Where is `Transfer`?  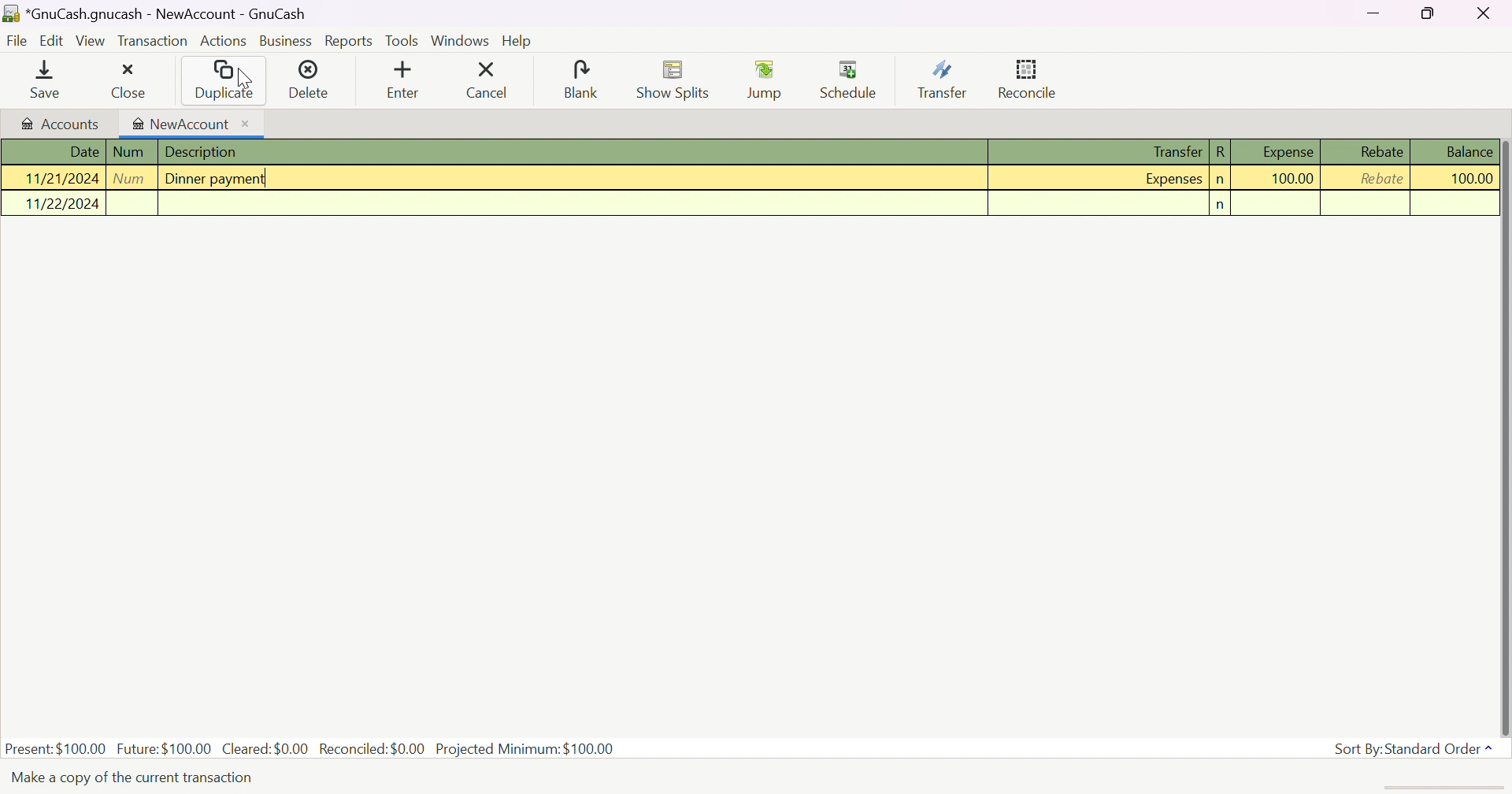
Transfer is located at coordinates (944, 80).